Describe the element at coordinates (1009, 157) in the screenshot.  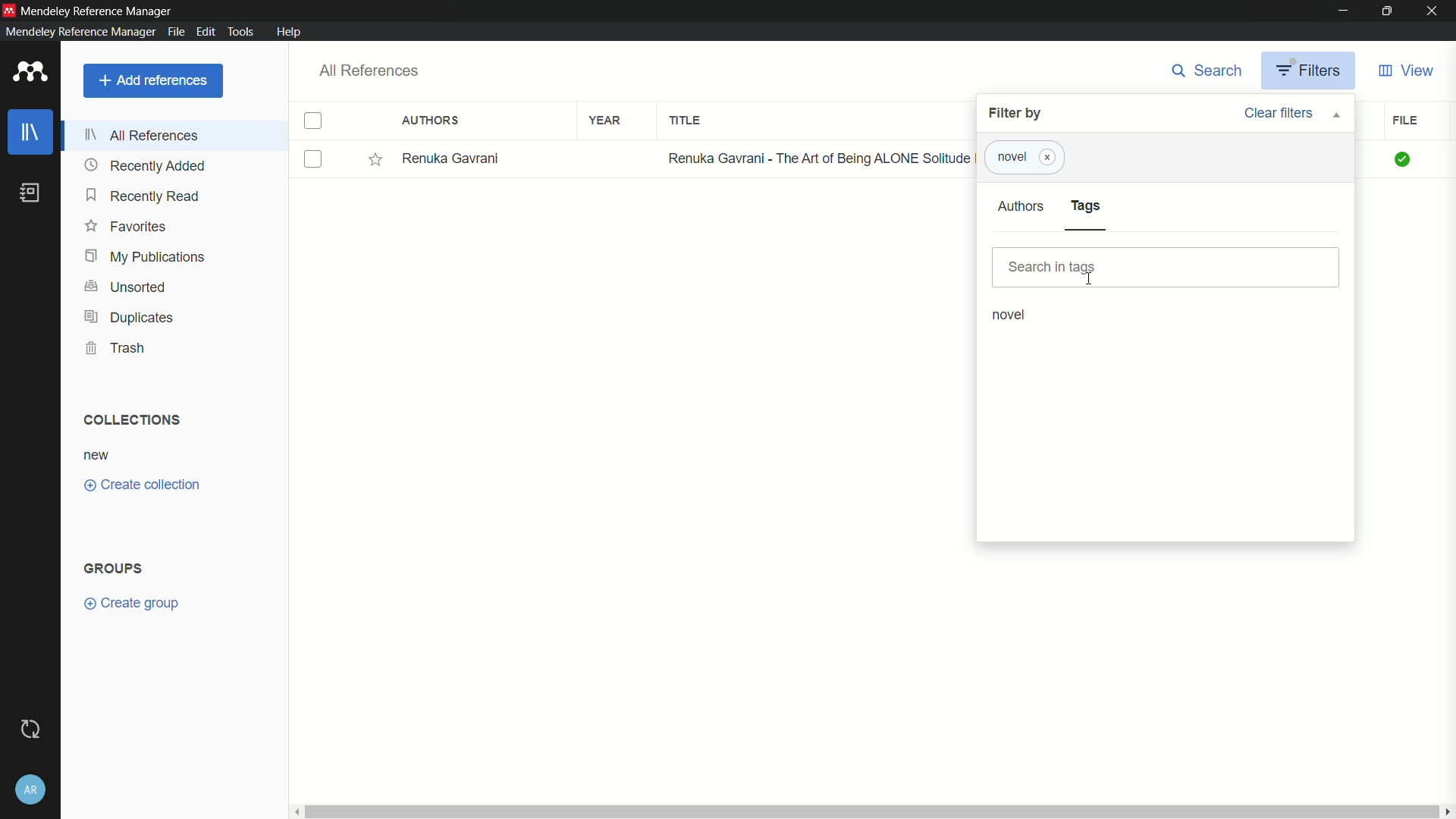
I see `Novel Tag` at that location.